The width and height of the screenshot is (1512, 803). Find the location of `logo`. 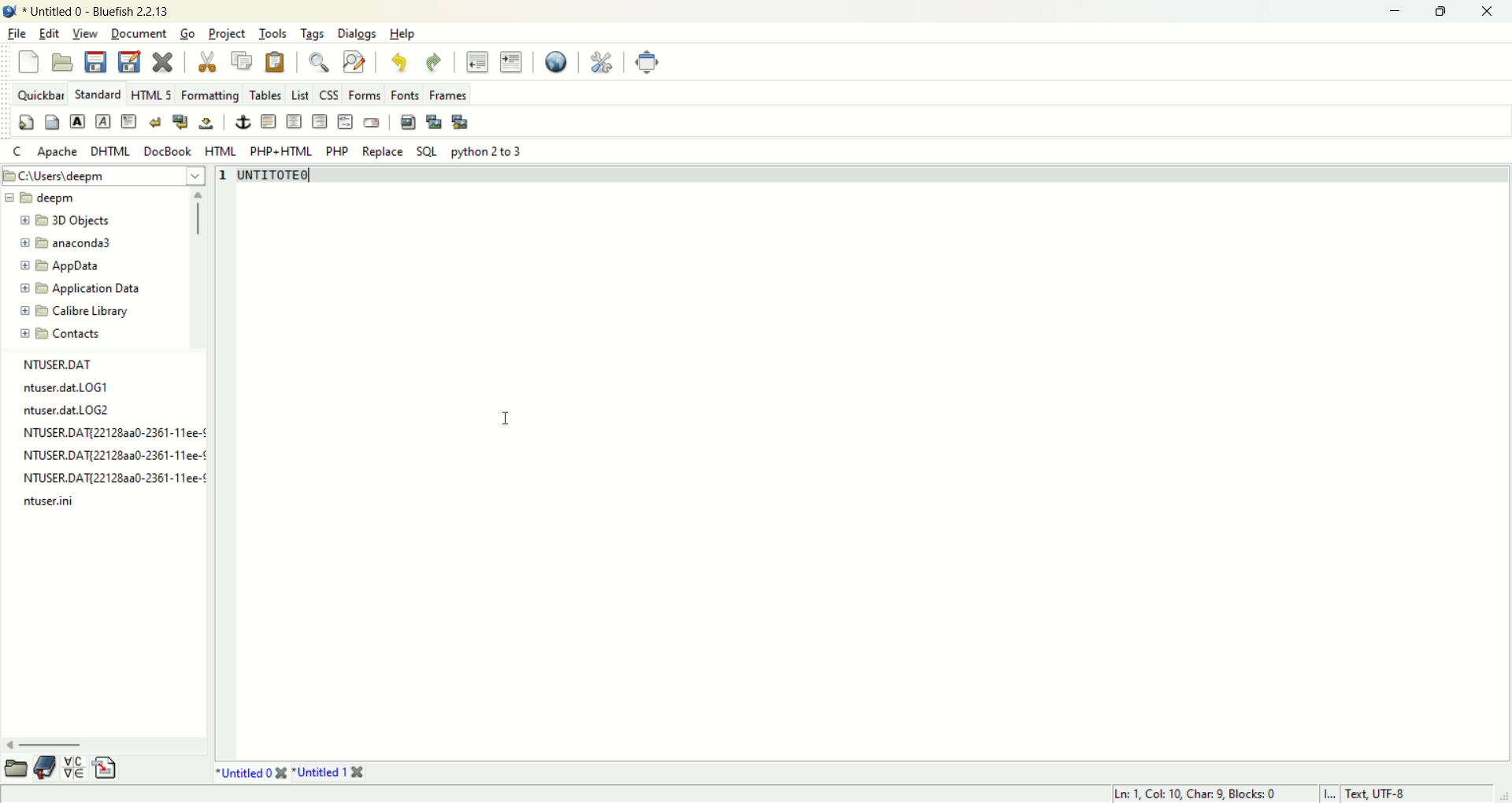

logo is located at coordinates (9, 10).